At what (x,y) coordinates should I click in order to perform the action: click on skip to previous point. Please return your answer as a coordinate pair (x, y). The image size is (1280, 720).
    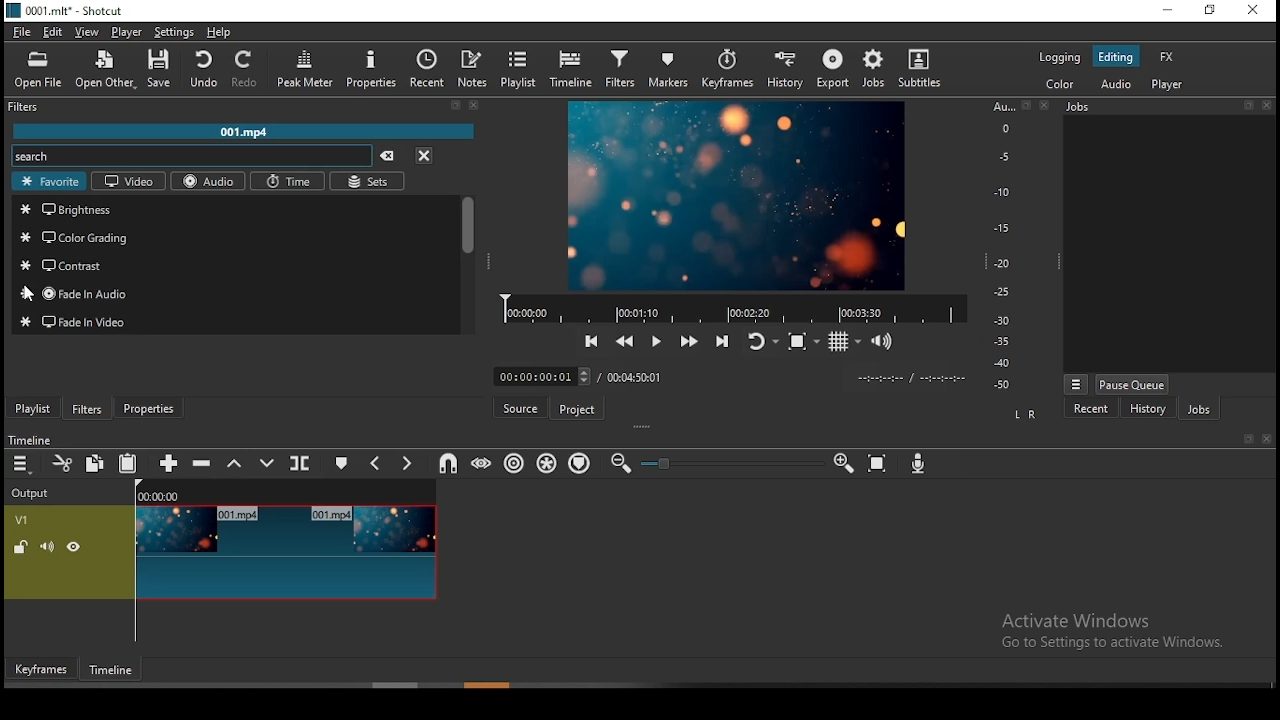
    Looking at the image, I should click on (593, 338).